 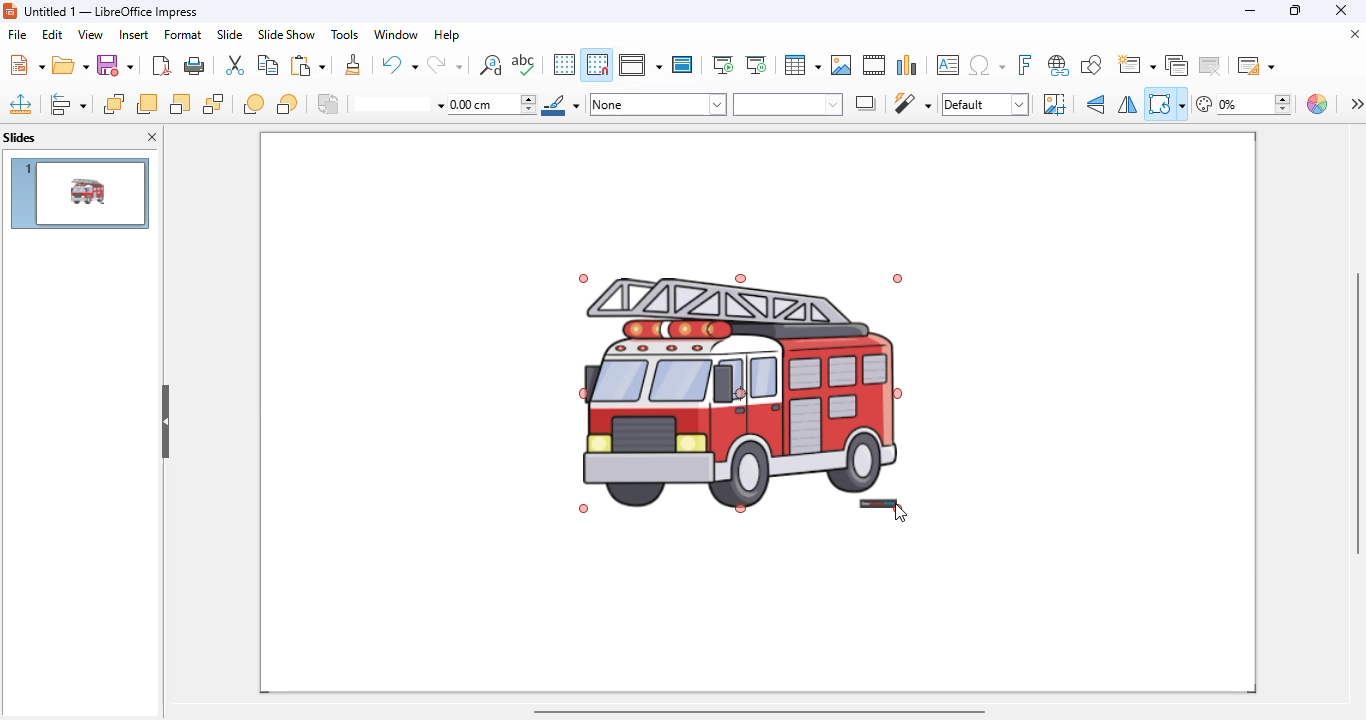 What do you see at coordinates (180, 104) in the screenshot?
I see `send backward` at bounding box center [180, 104].